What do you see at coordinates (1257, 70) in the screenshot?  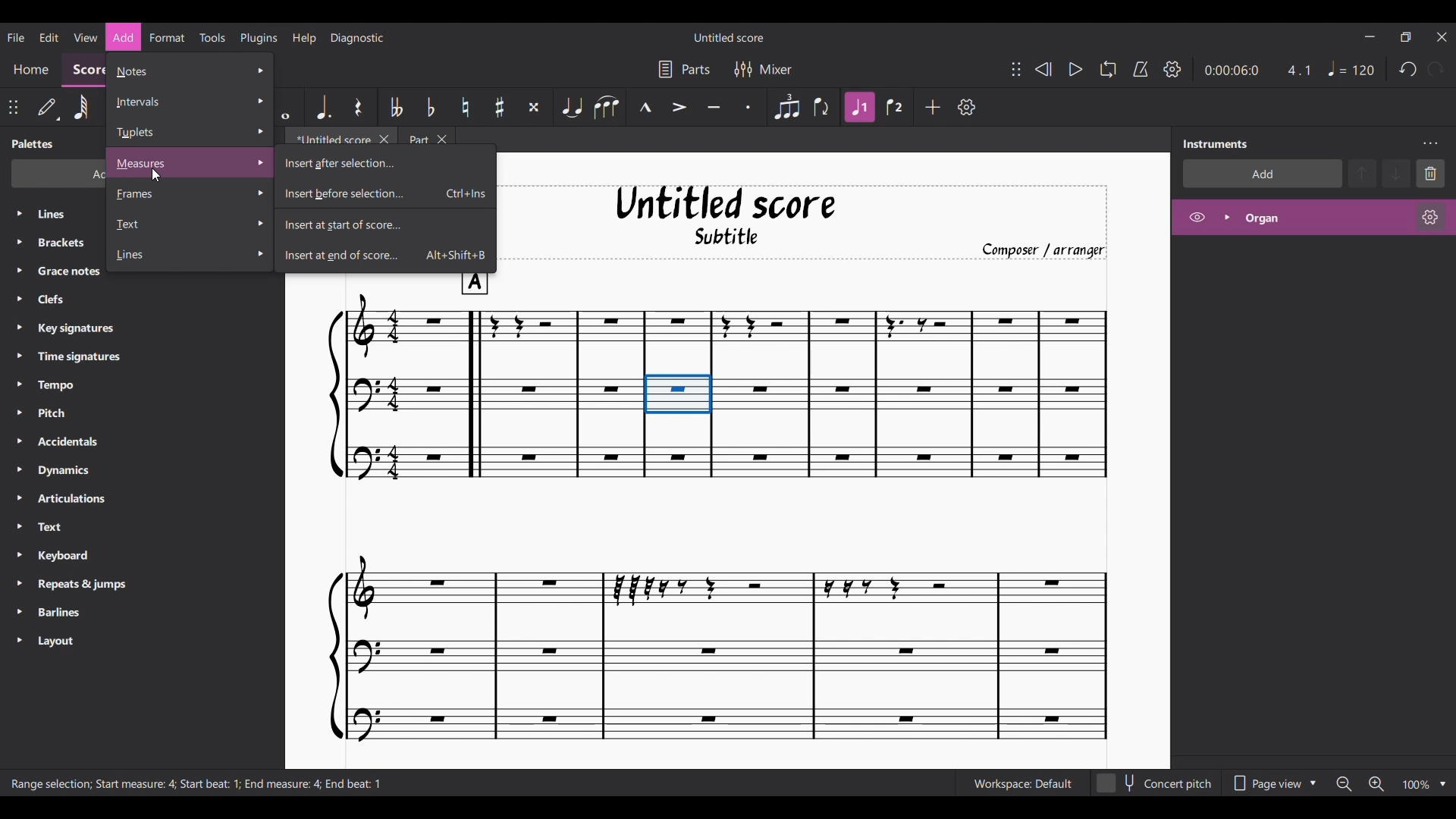 I see `Current duration and ratio of score` at bounding box center [1257, 70].